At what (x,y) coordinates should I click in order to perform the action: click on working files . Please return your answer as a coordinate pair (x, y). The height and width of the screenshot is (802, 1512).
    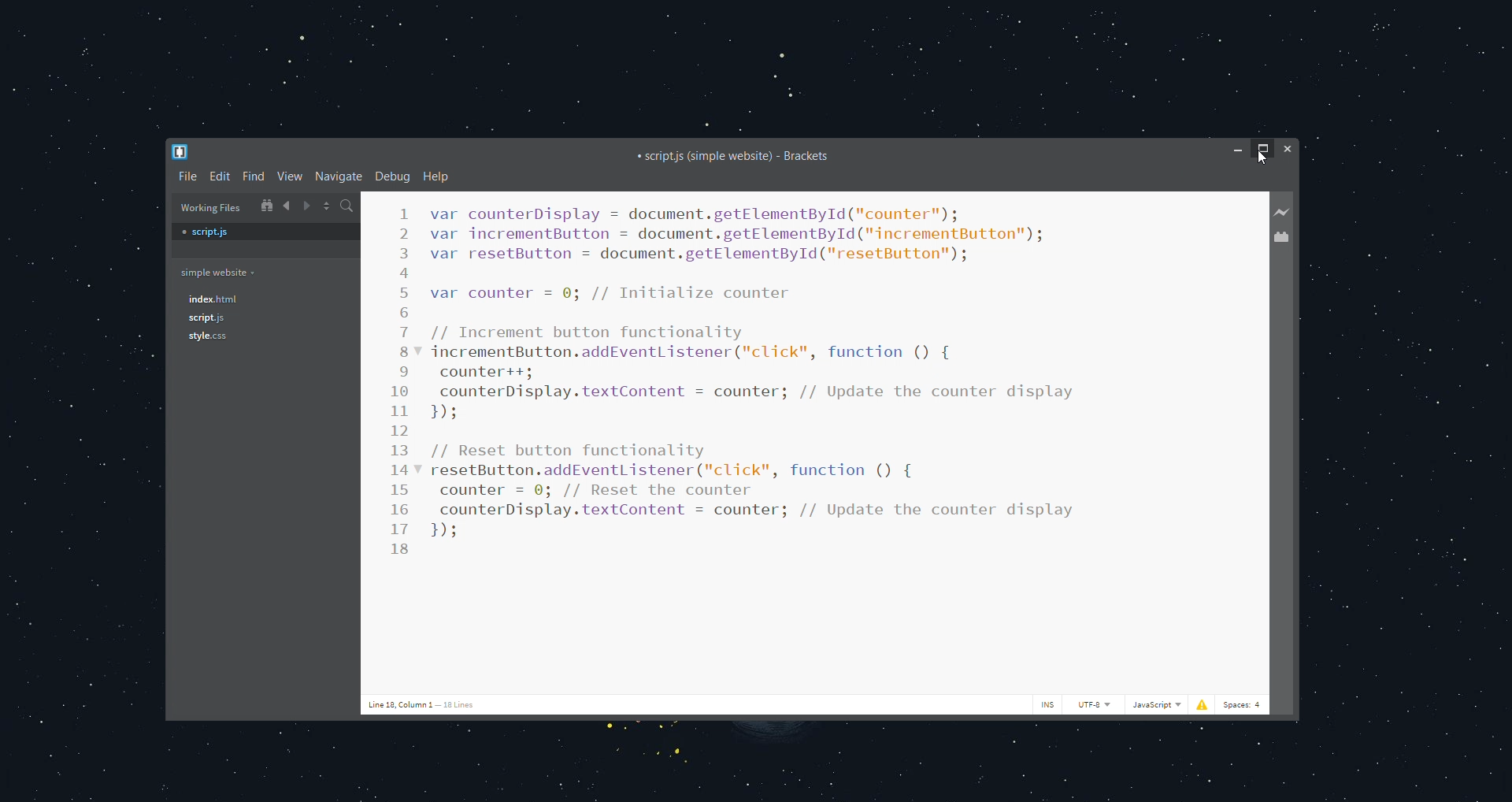
    Looking at the image, I should click on (209, 207).